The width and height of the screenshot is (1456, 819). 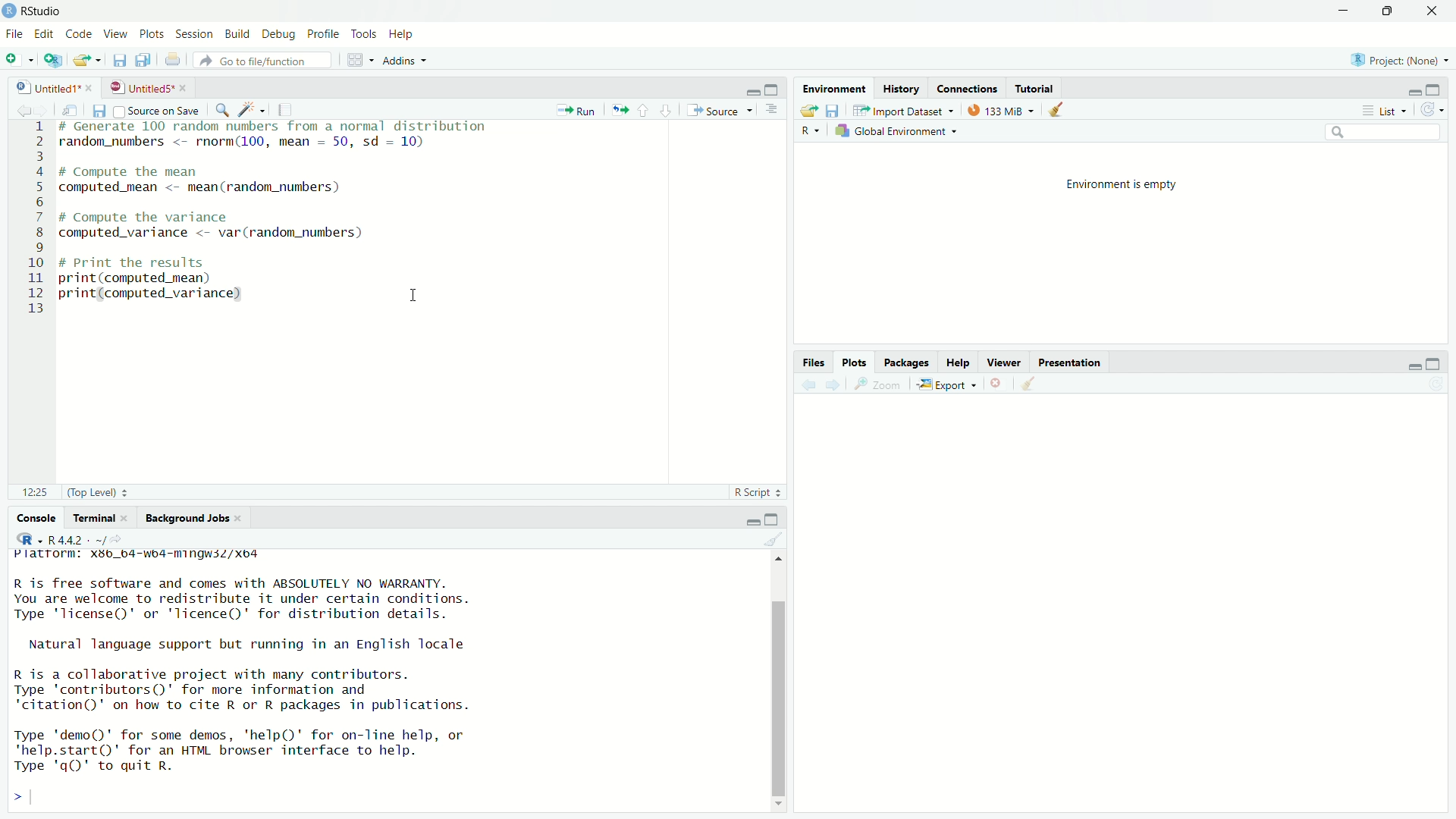 I want to click on prompt cursor, so click(x=12, y=797).